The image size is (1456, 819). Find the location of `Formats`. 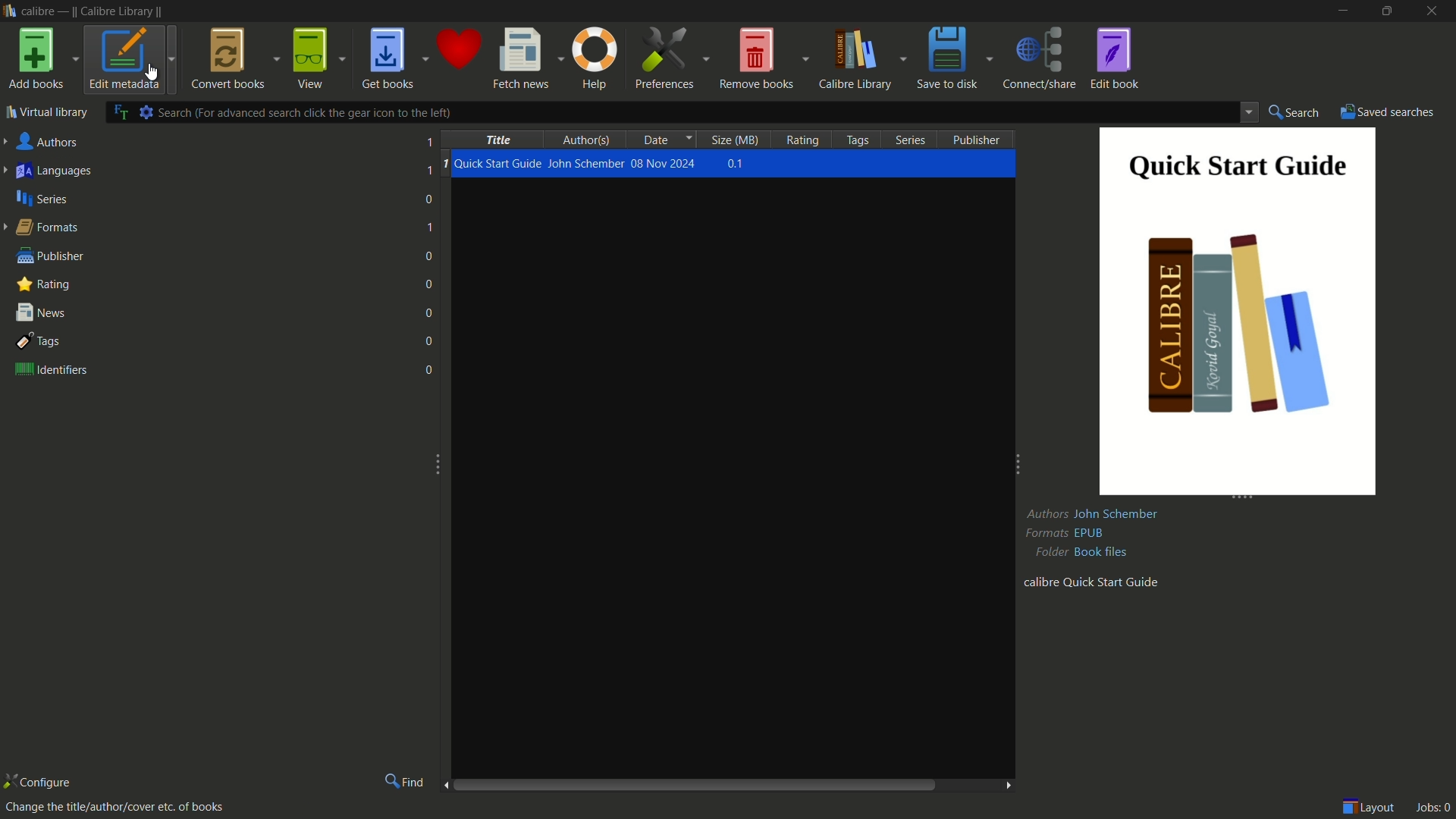

Formats is located at coordinates (1044, 533).